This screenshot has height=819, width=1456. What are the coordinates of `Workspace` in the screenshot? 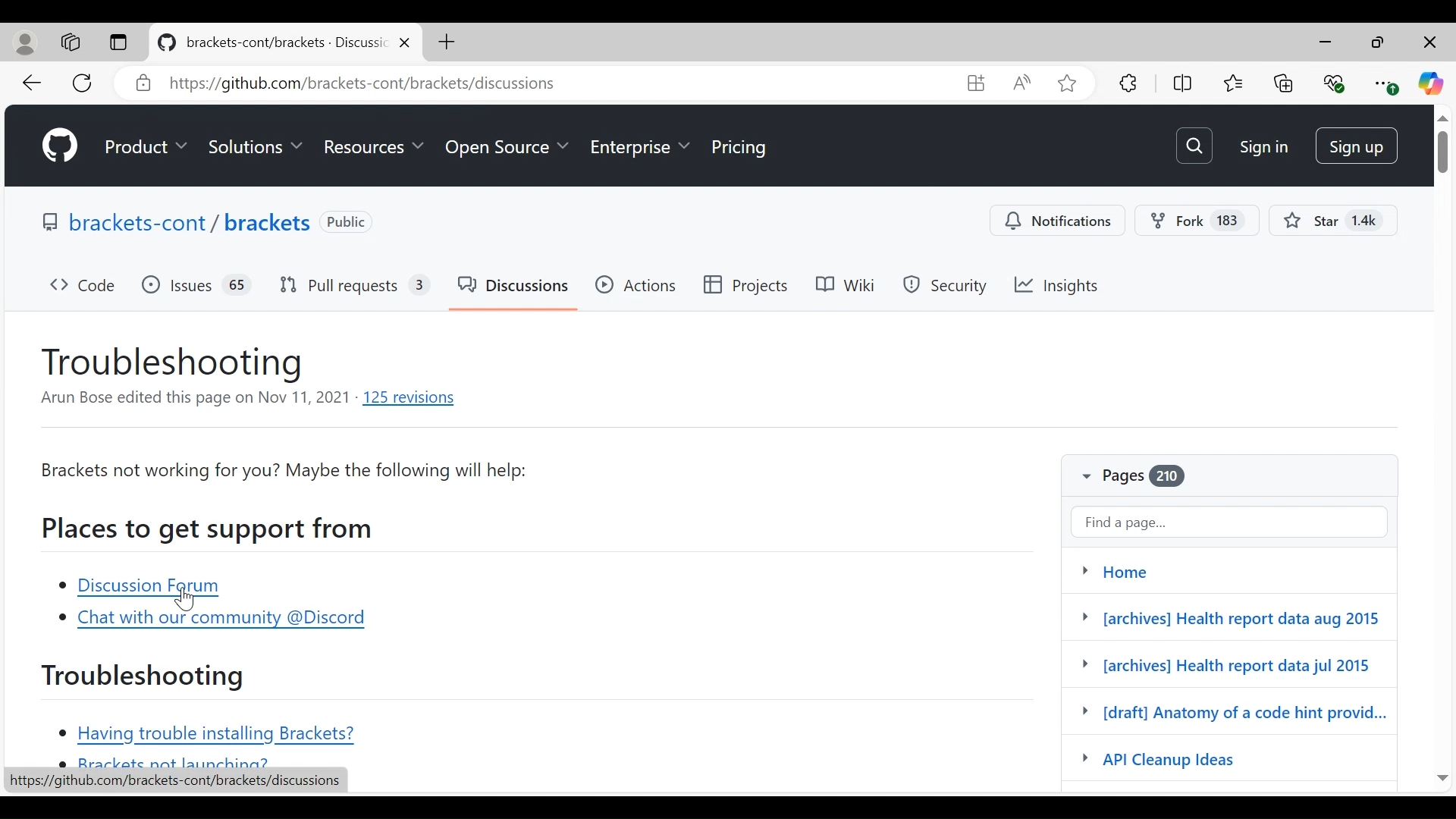 It's located at (68, 42).